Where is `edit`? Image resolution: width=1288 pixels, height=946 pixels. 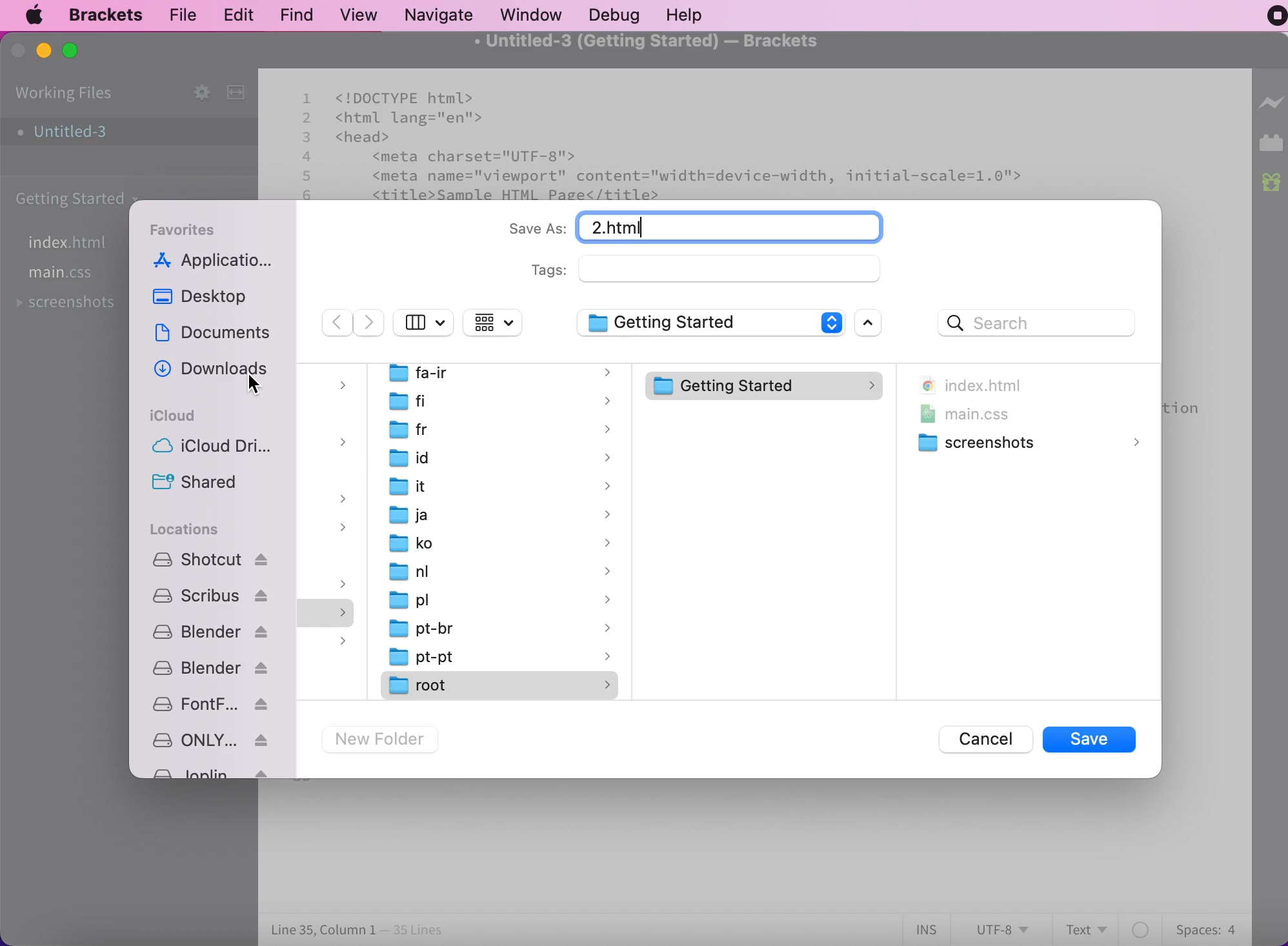 edit is located at coordinates (241, 13).